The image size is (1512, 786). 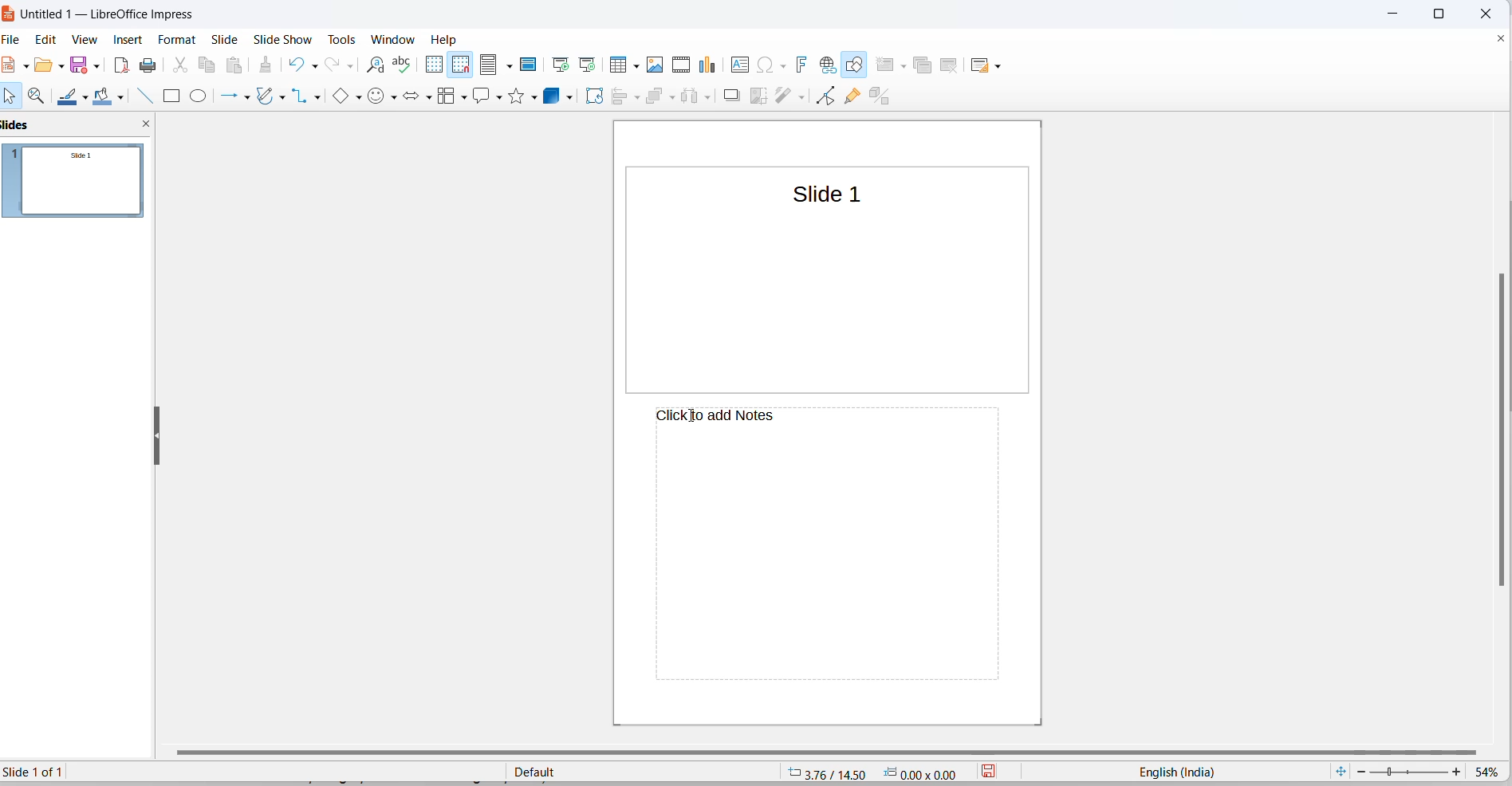 What do you see at coordinates (1360, 771) in the screenshot?
I see `decrease zoom` at bounding box center [1360, 771].